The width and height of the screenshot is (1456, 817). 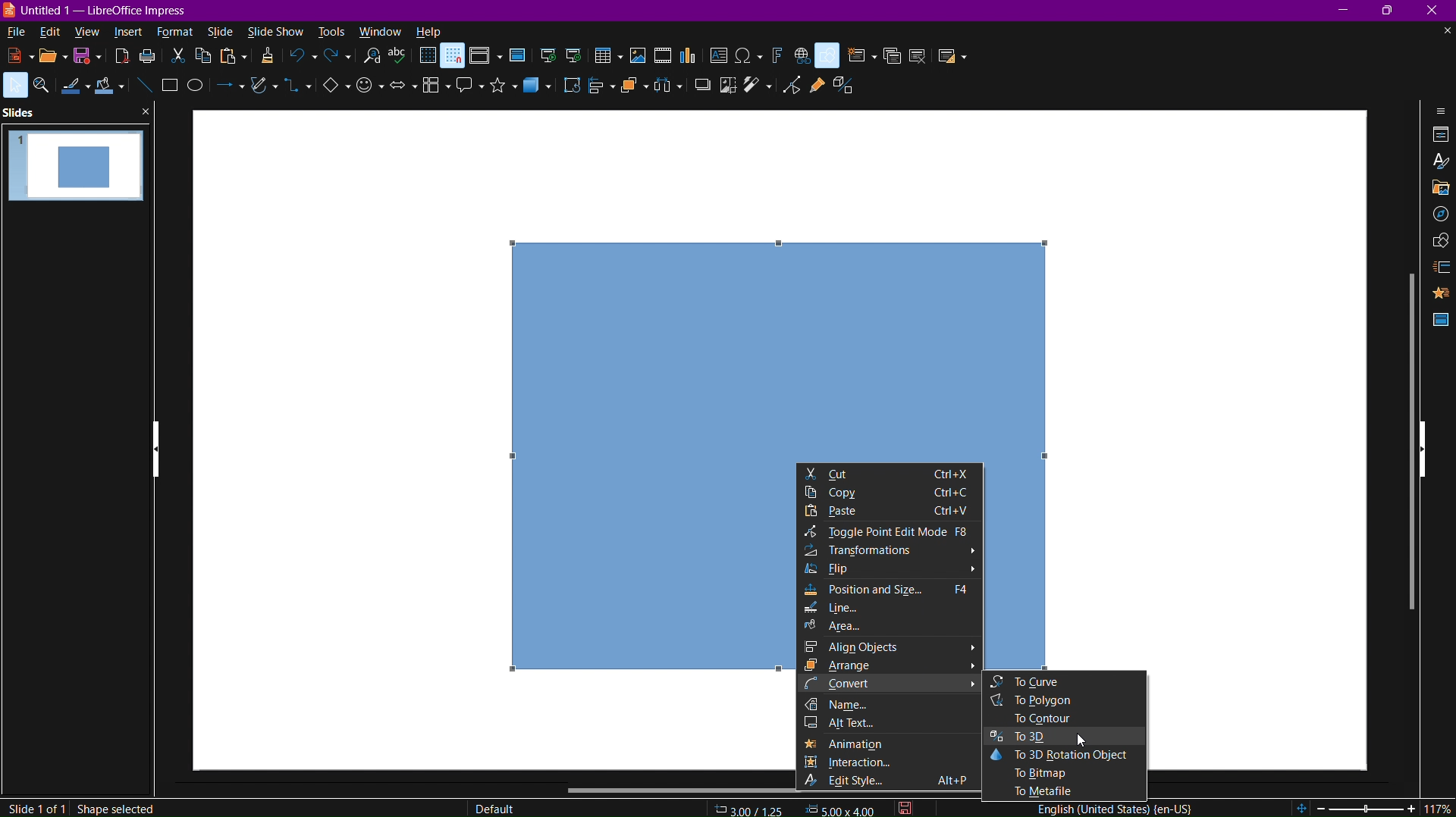 I want to click on Insert Media or Audio, so click(x=662, y=57).